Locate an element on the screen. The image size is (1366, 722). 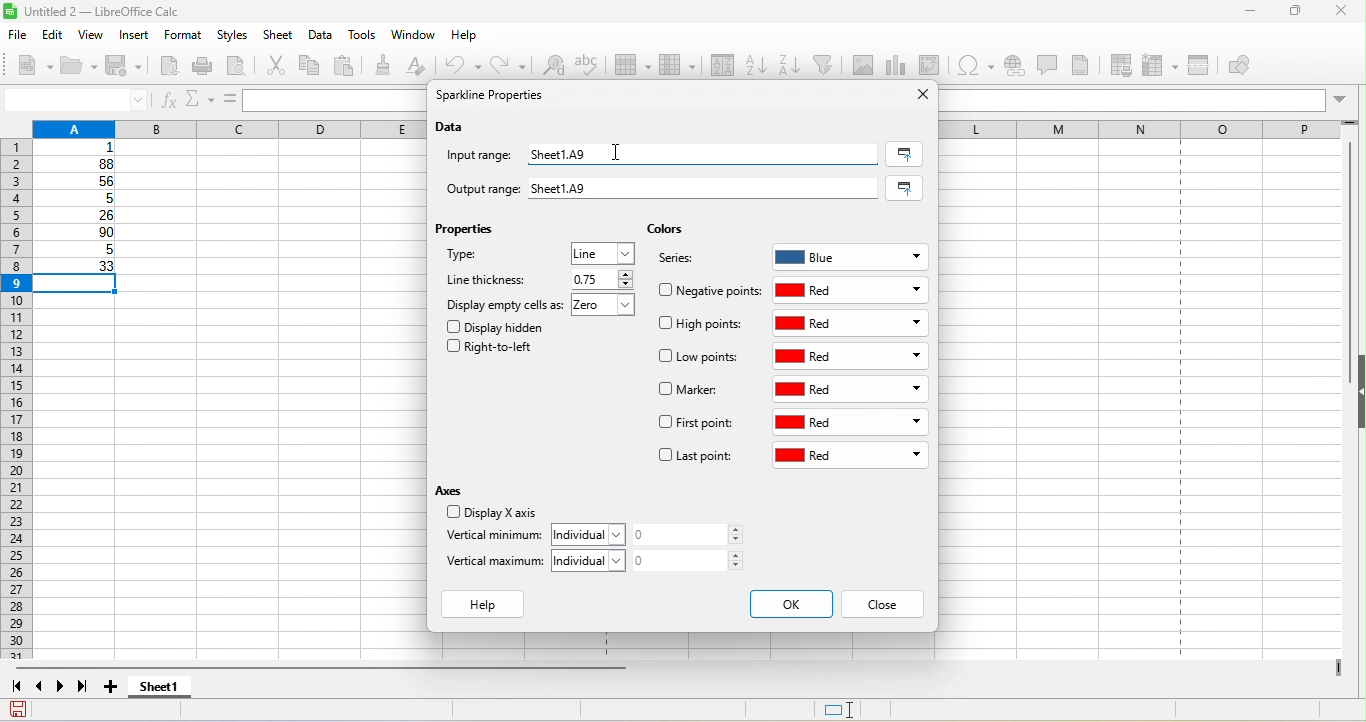
display x axis is located at coordinates (489, 514).